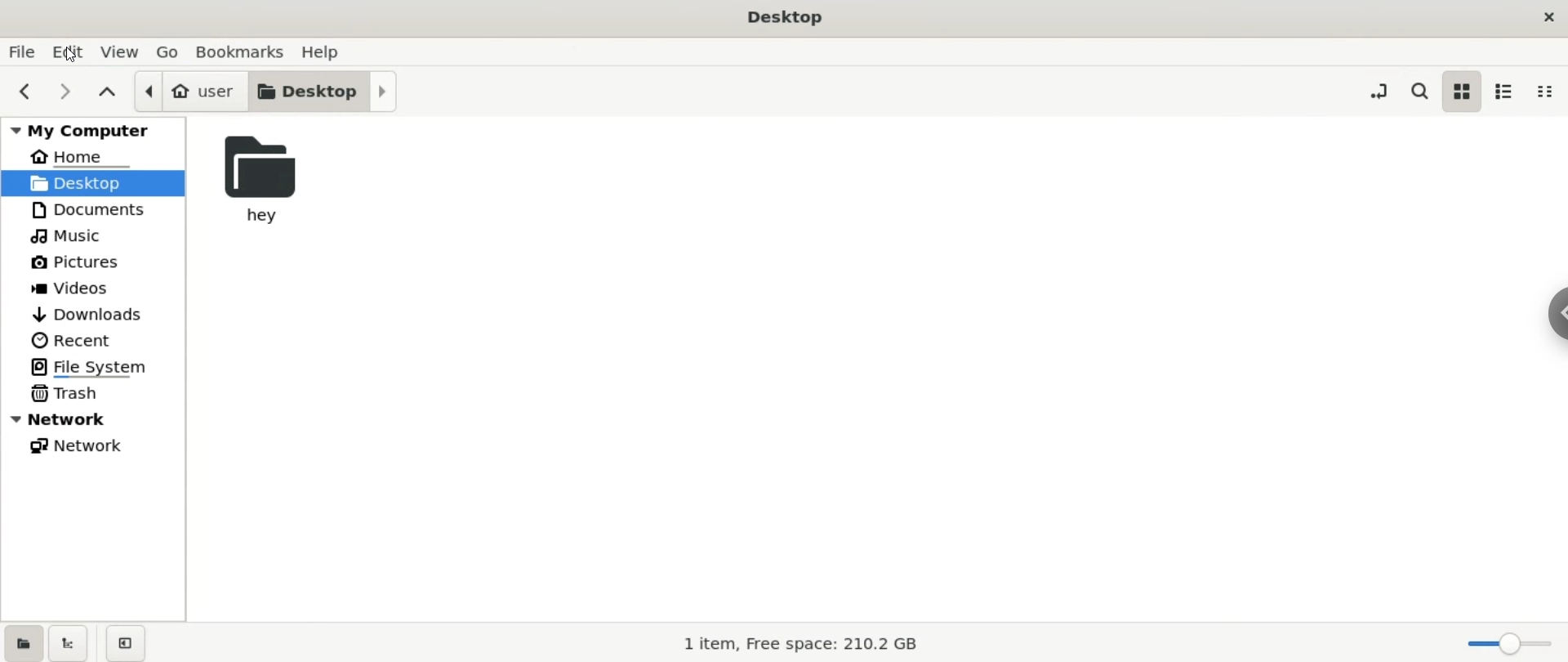 This screenshot has width=1568, height=662. What do you see at coordinates (322, 92) in the screenshot?
I see `desktop` at bounding box center [322, 92].